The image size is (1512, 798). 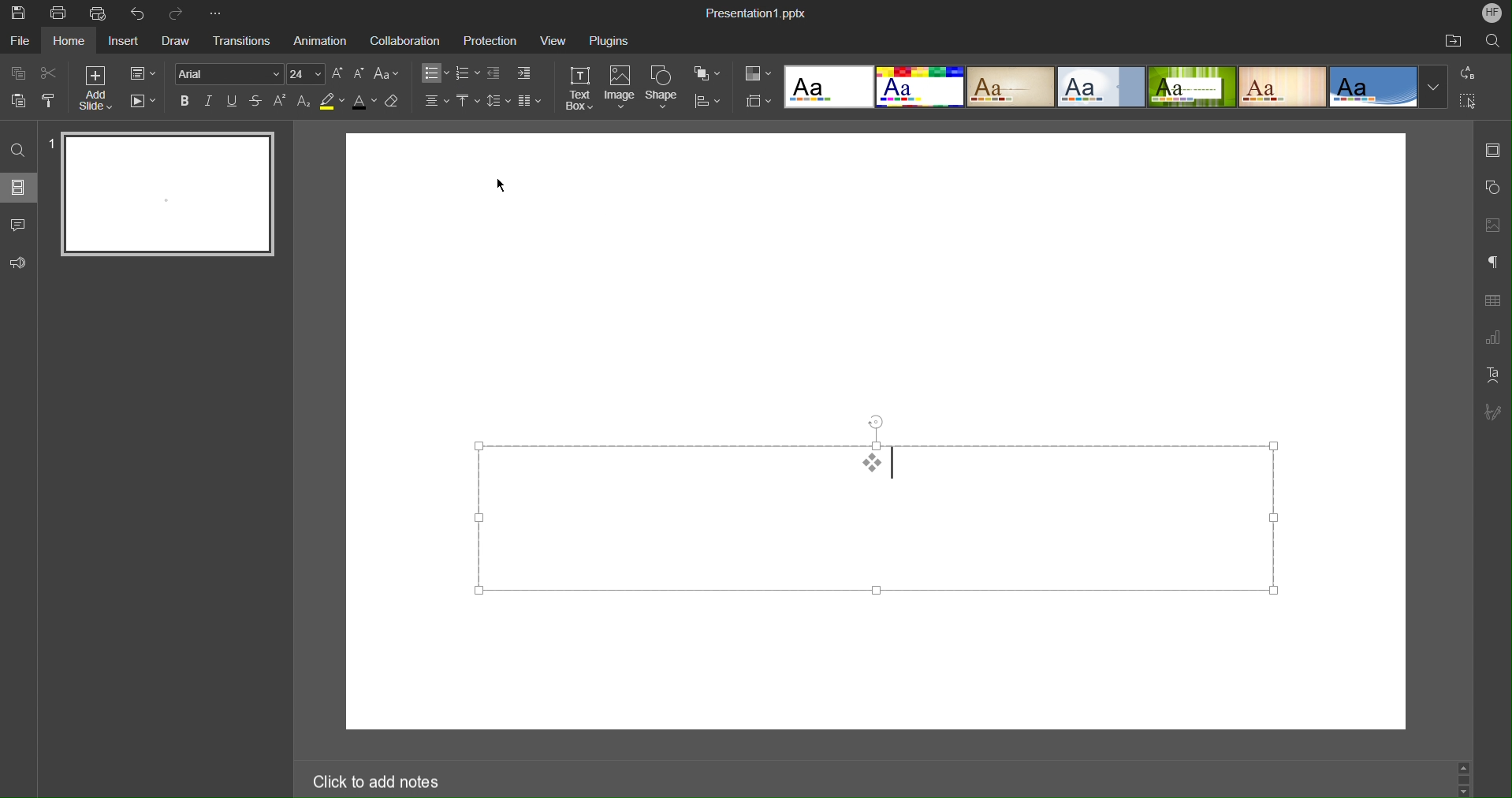 What do you see at coordinates (918, 87) in the screenshot?
I see `template` at bounding box center [918, 87].